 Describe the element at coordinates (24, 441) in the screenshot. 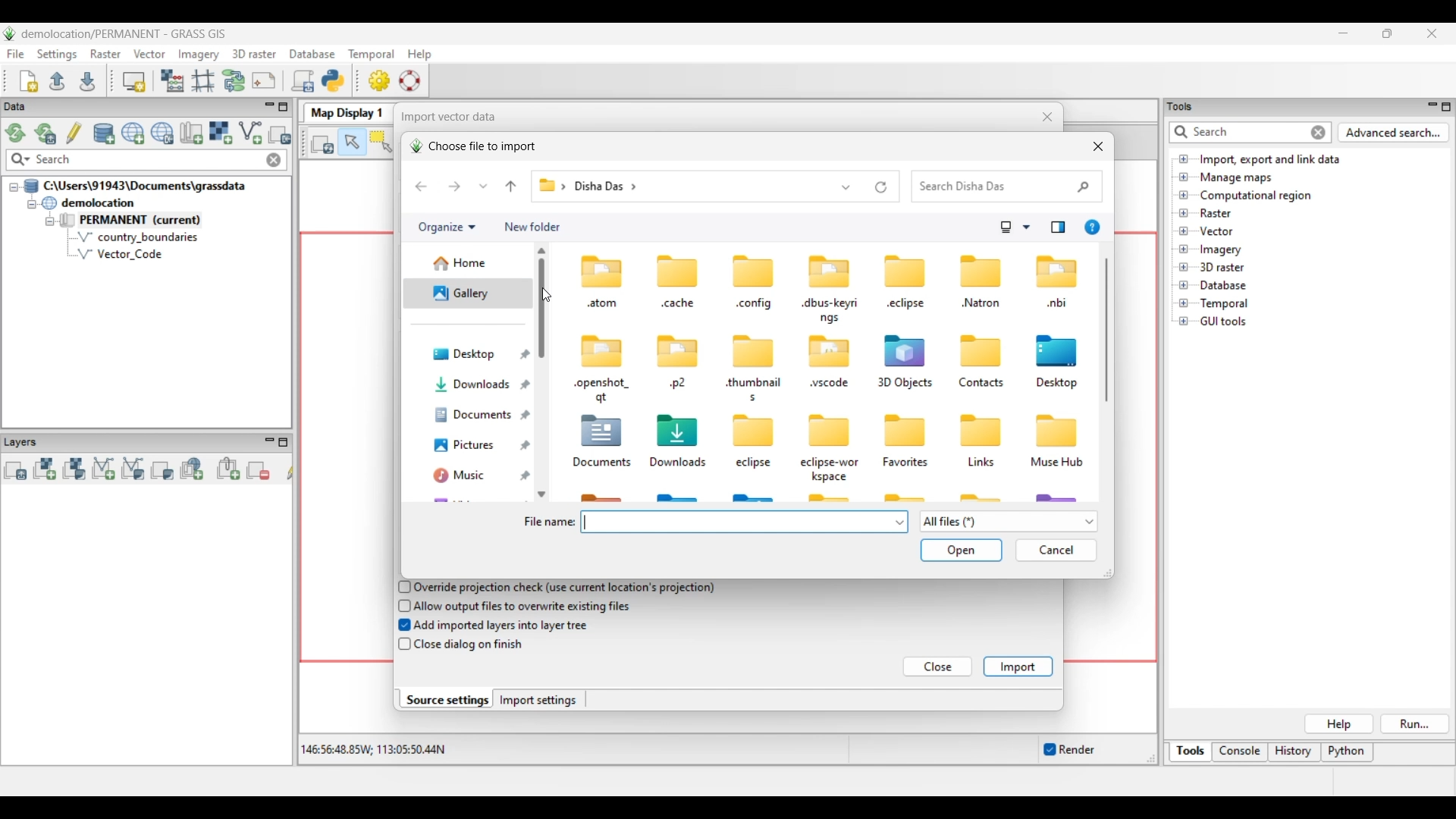

I see `Layers` at that location.